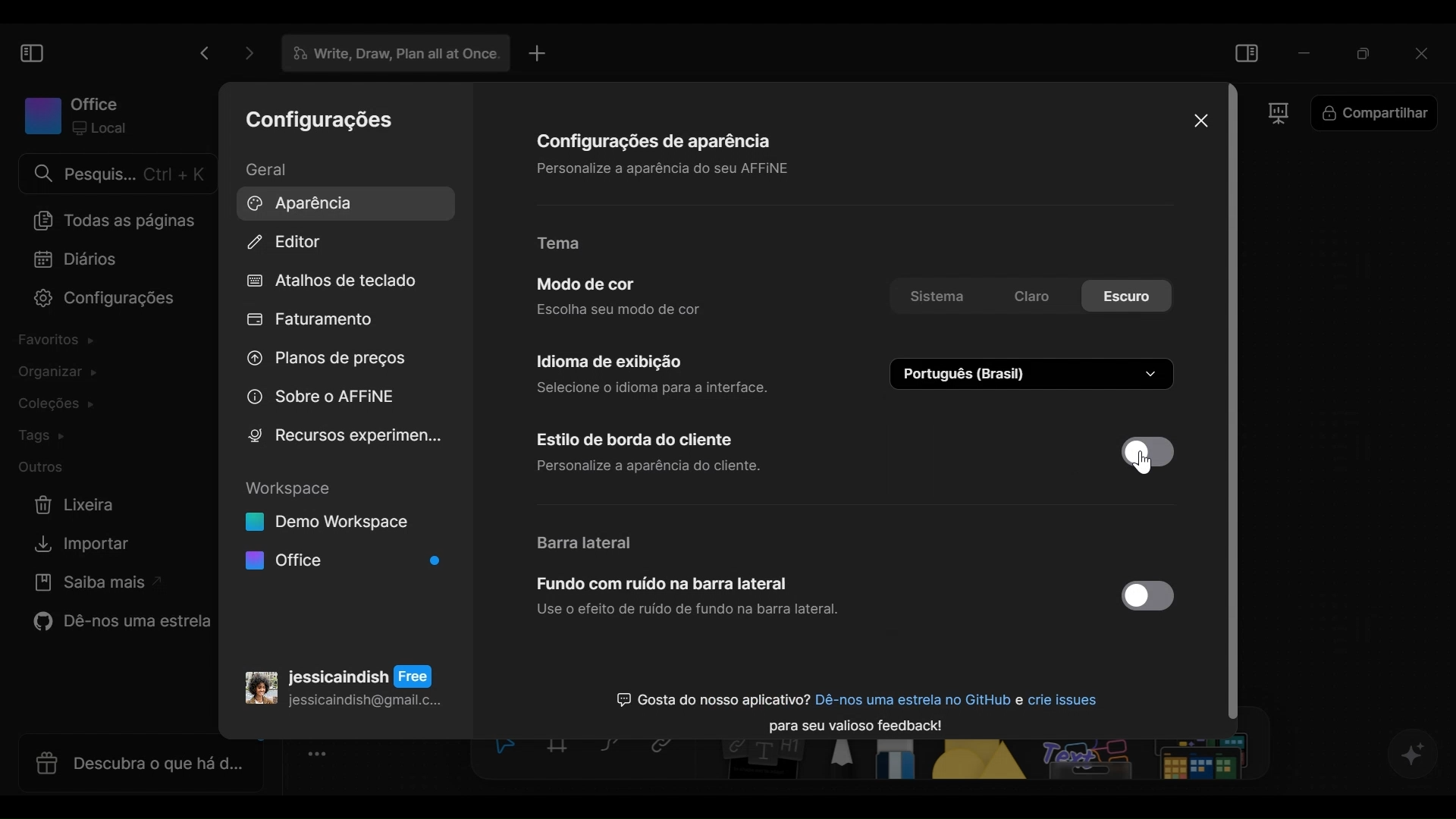 Image resolution: width=1456 pixels, height=819 pixels. I want to click on Pricing plans, so click(322, 362).